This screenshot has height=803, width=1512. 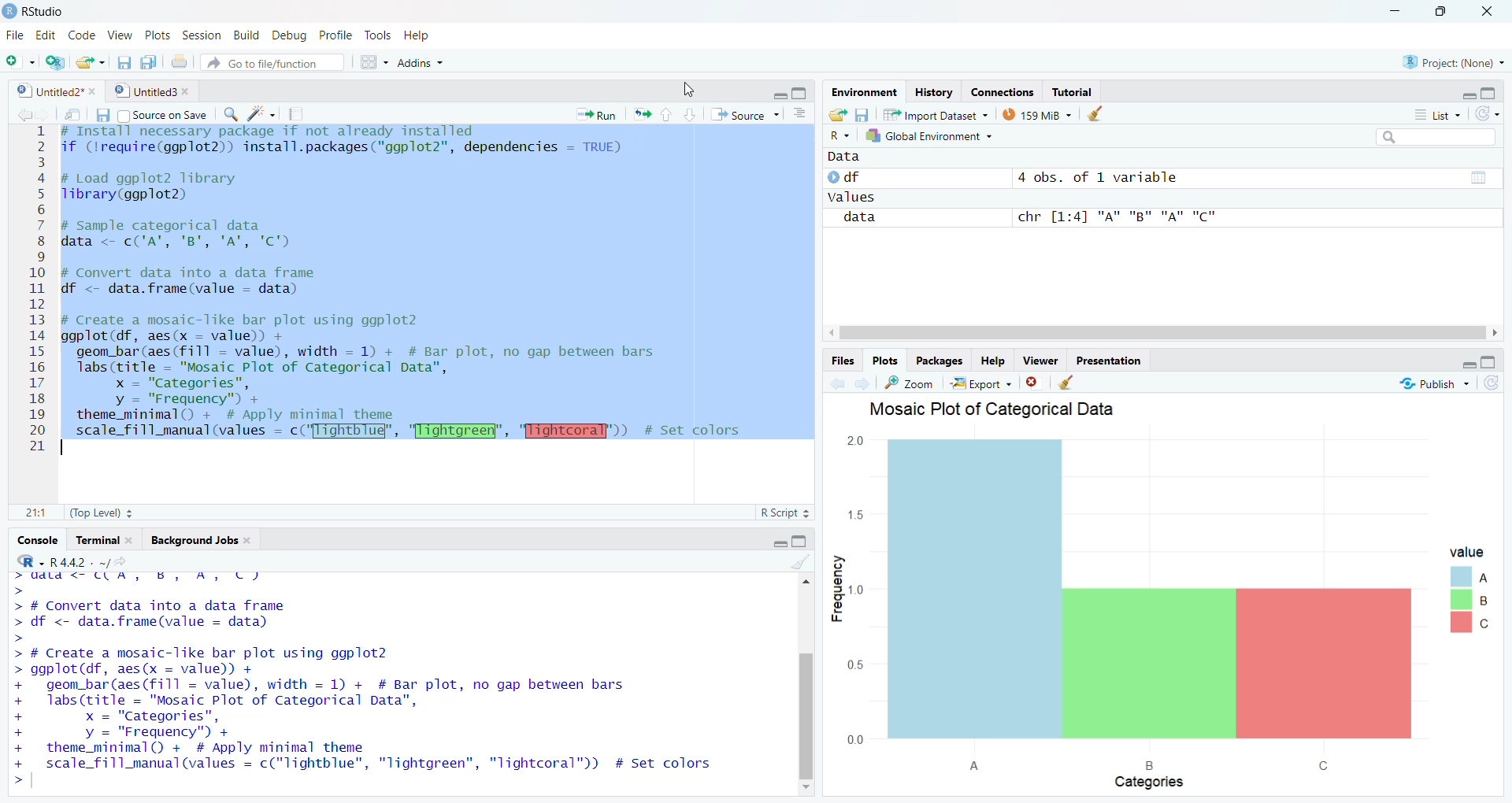 What do you see at coordinates (196, 281) in the screenshot?
I see `# Convert data into a data frame
df <- data.frame(value = data)` at bounding box center [196, 281].